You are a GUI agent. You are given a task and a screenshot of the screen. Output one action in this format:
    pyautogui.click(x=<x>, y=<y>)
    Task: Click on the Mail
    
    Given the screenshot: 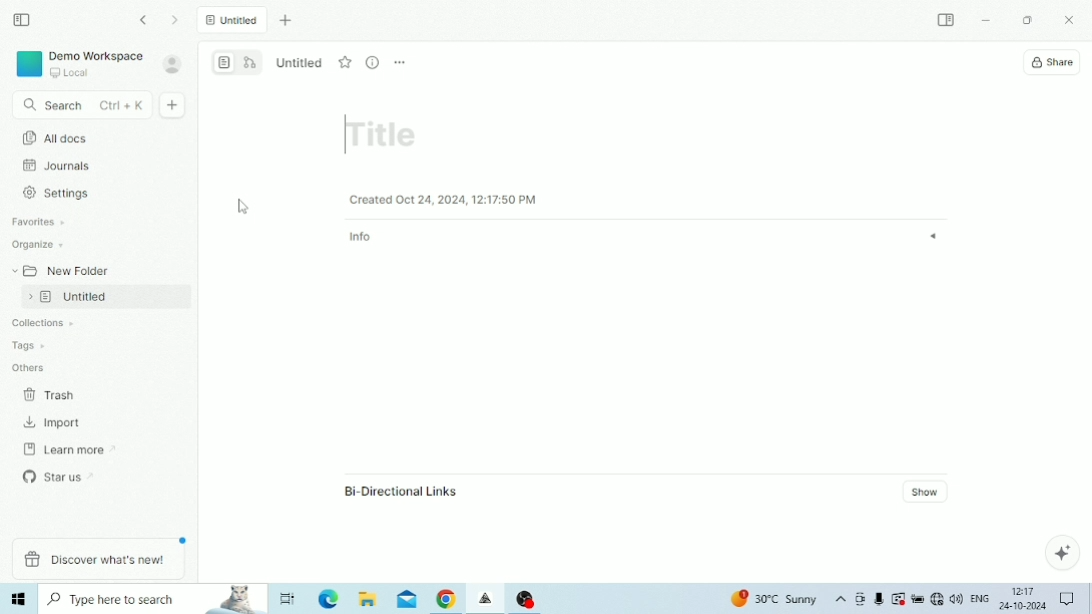 What is the action you would take?
    pyautogui.click(x=407, y=600)
    